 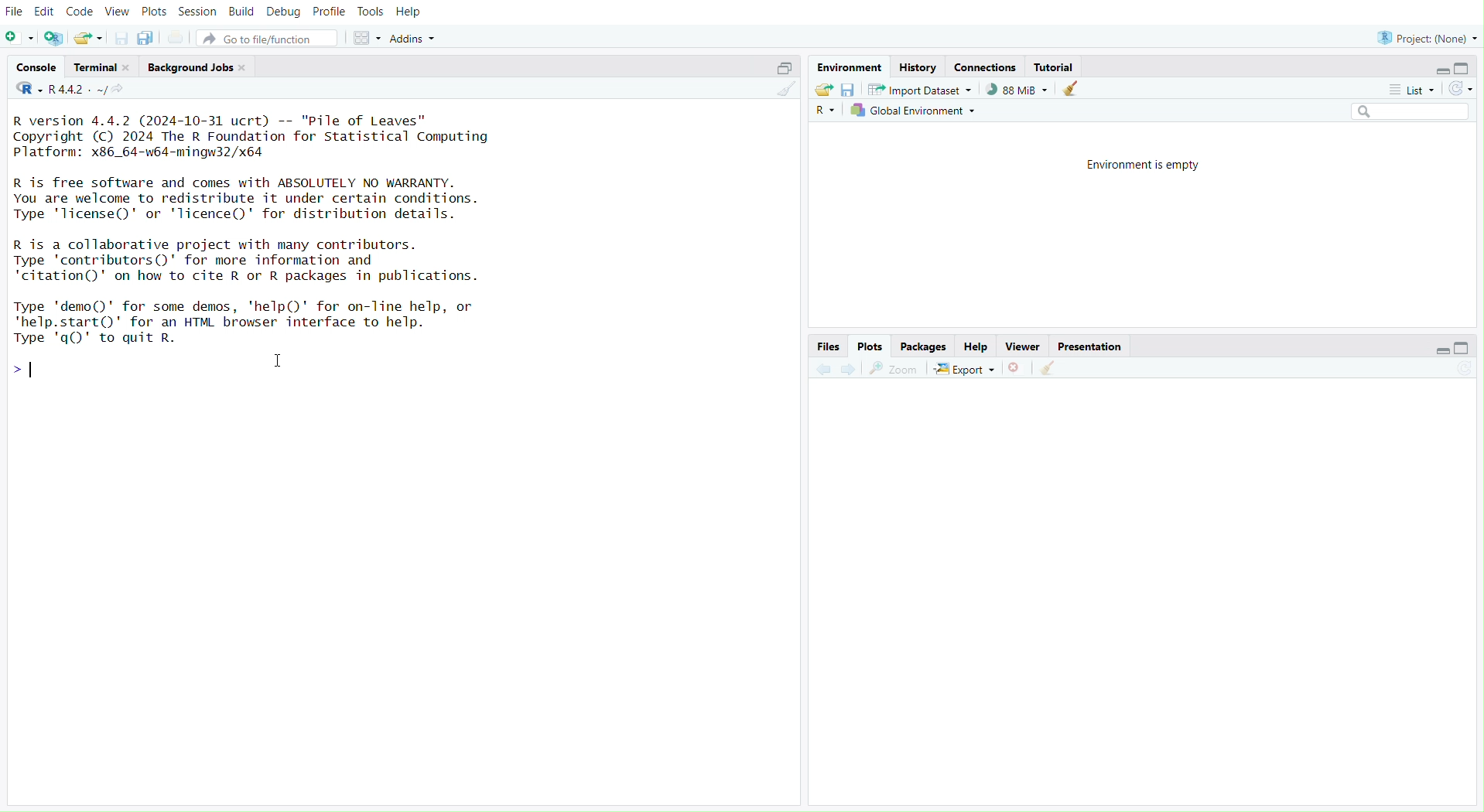 I want to click on Minimize, so click(x=1442, y=70).